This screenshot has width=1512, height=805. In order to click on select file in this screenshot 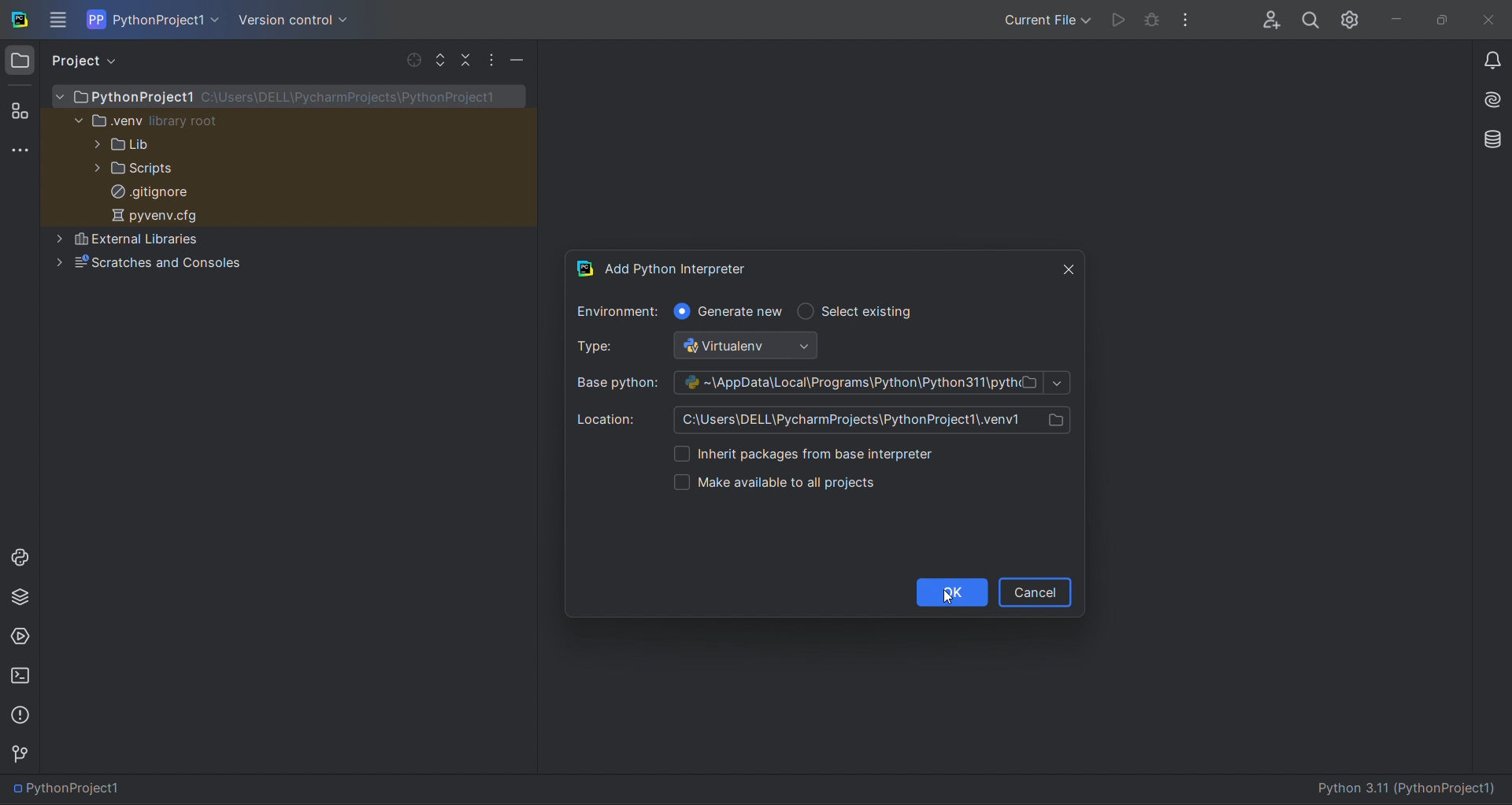, I will do `click(410, 59)`.